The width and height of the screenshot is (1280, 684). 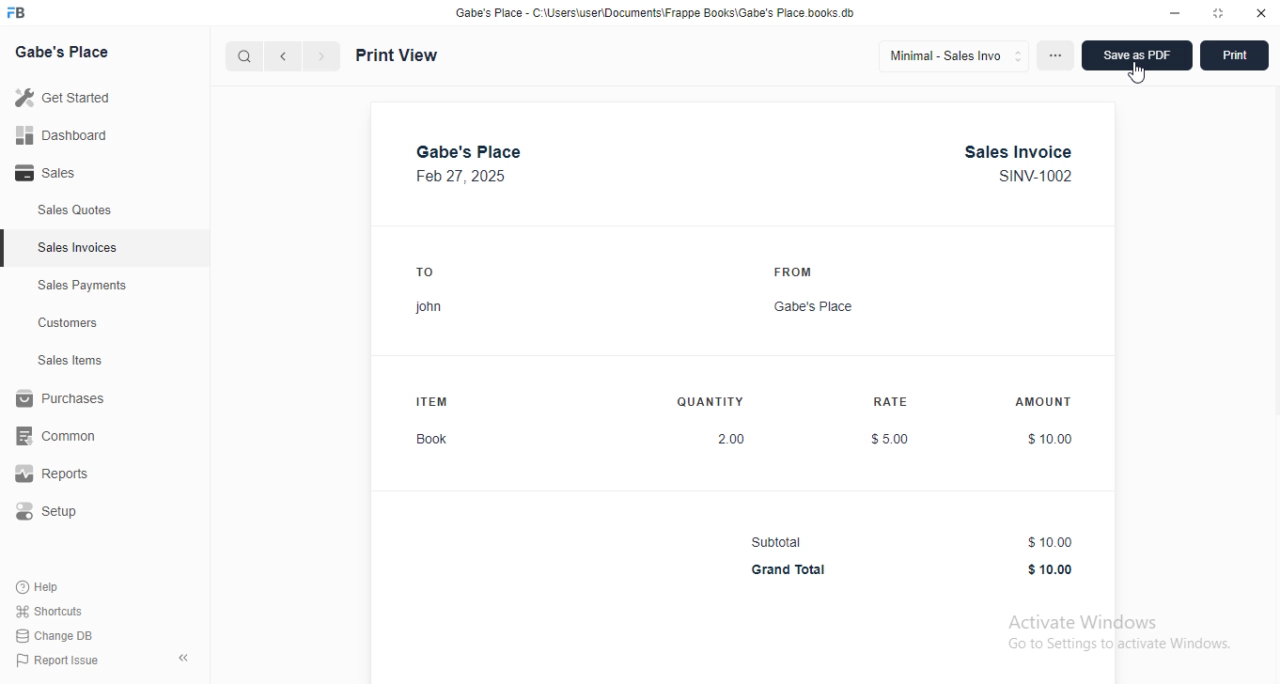 What do you see at coordinates (396, 56) in the screenshot?
I see `print view` at bounding box center [396, 56].